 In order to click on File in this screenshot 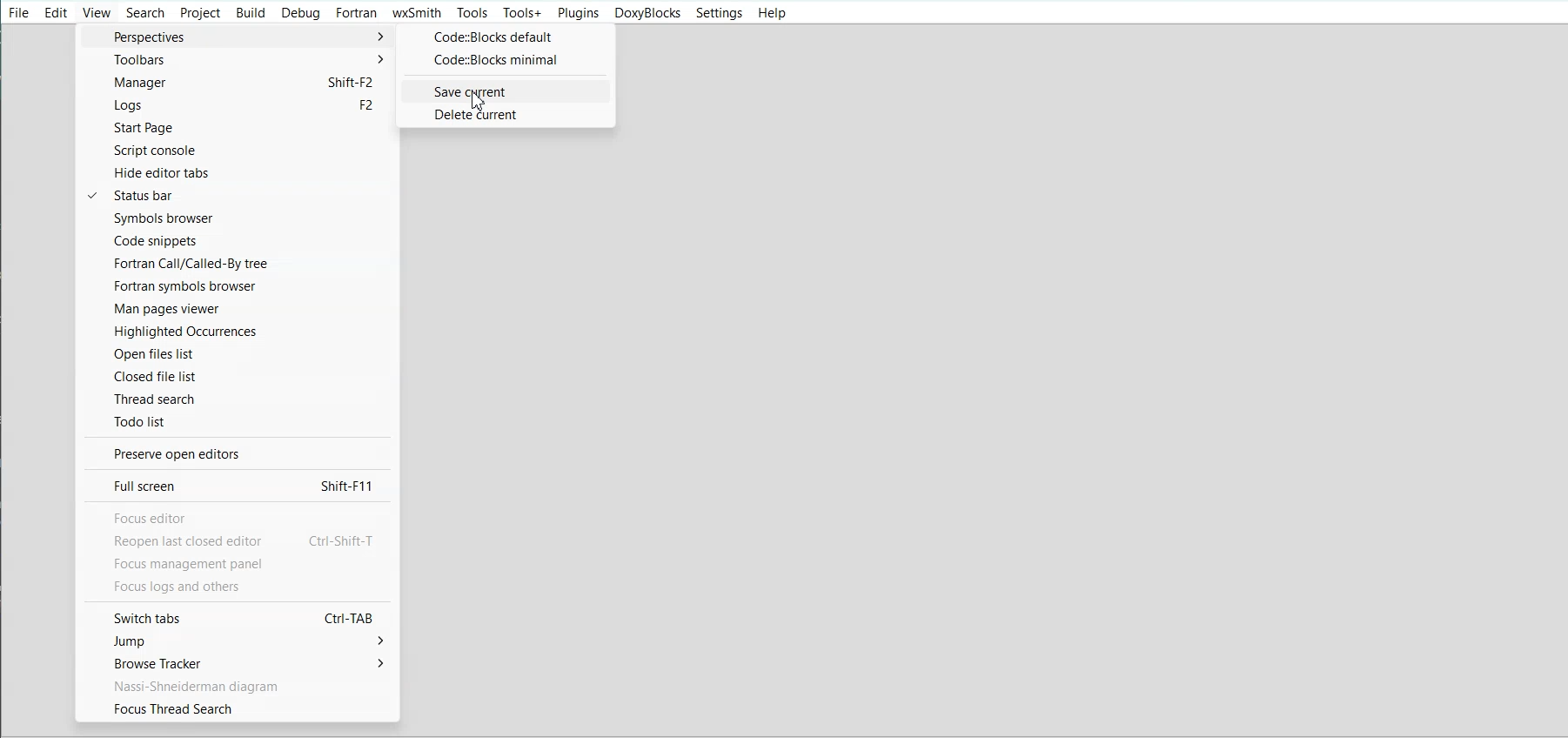, I will do `click(19, 11)`.